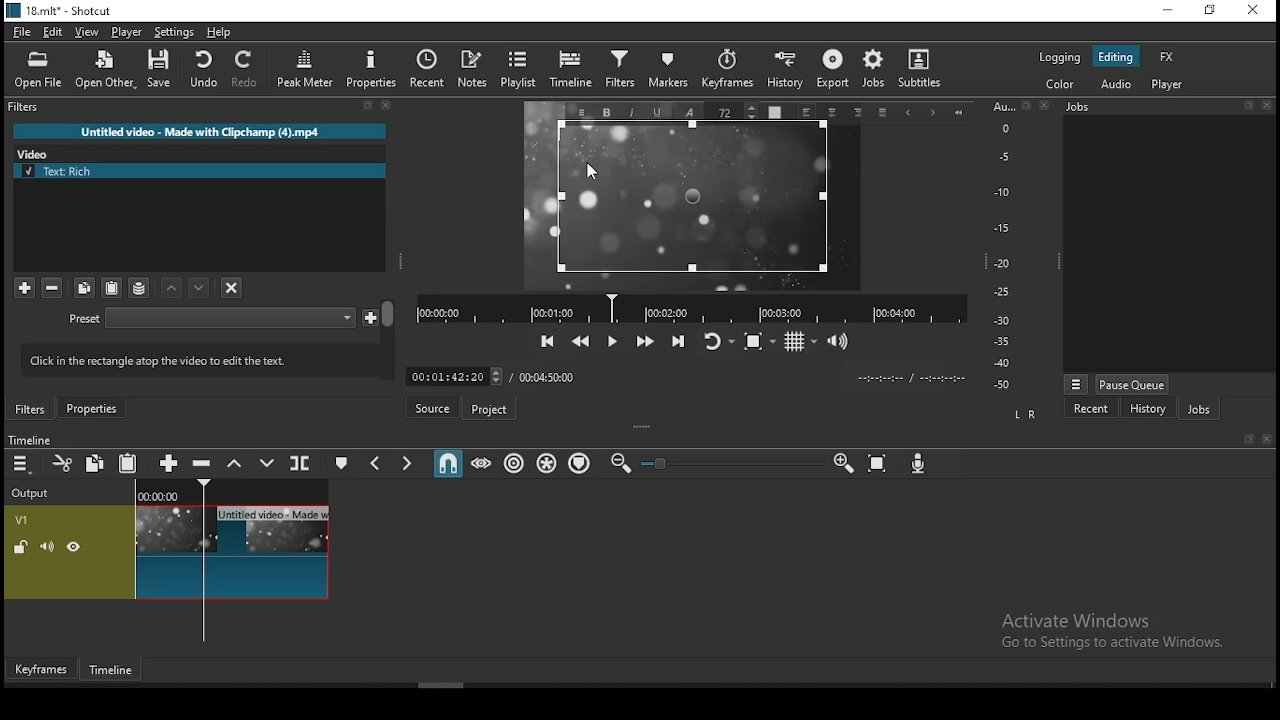  What do you see at coordinates (665, 74) in the screenshot?
I see `markers` at bounding box center [665, 74].